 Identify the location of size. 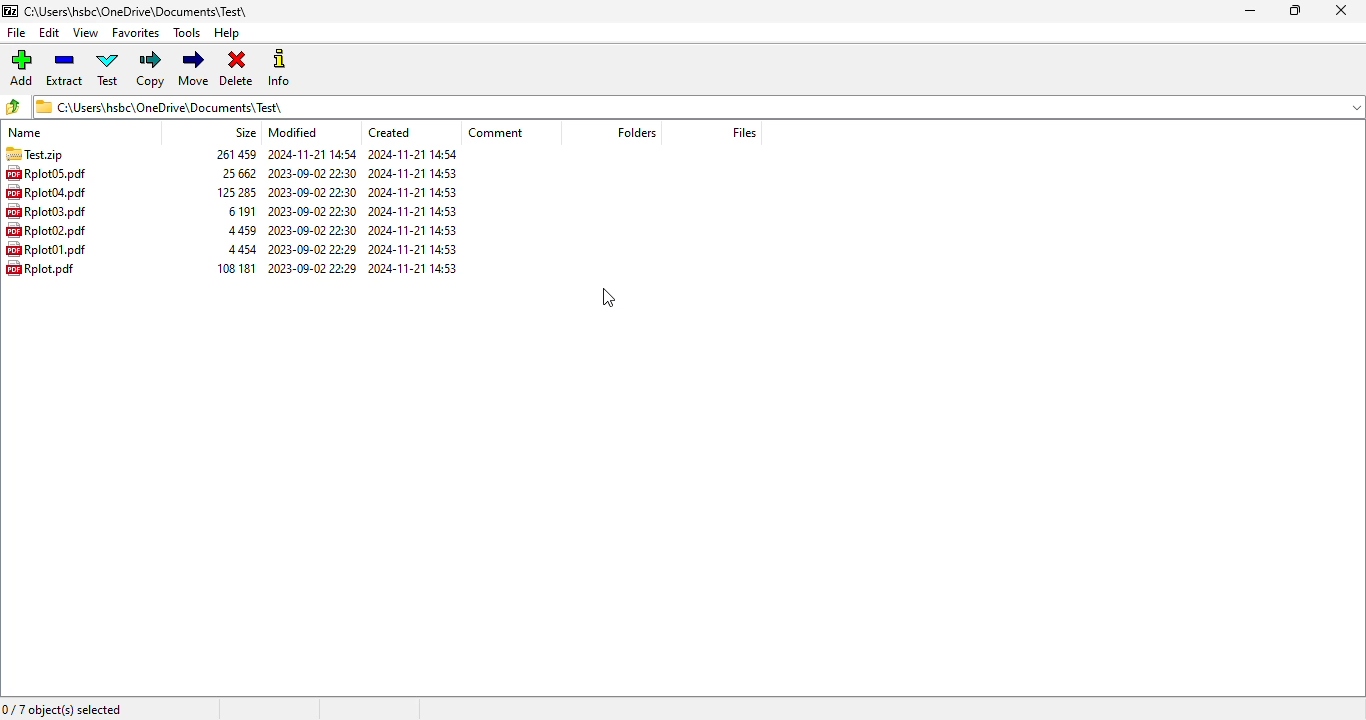
(237, 210).